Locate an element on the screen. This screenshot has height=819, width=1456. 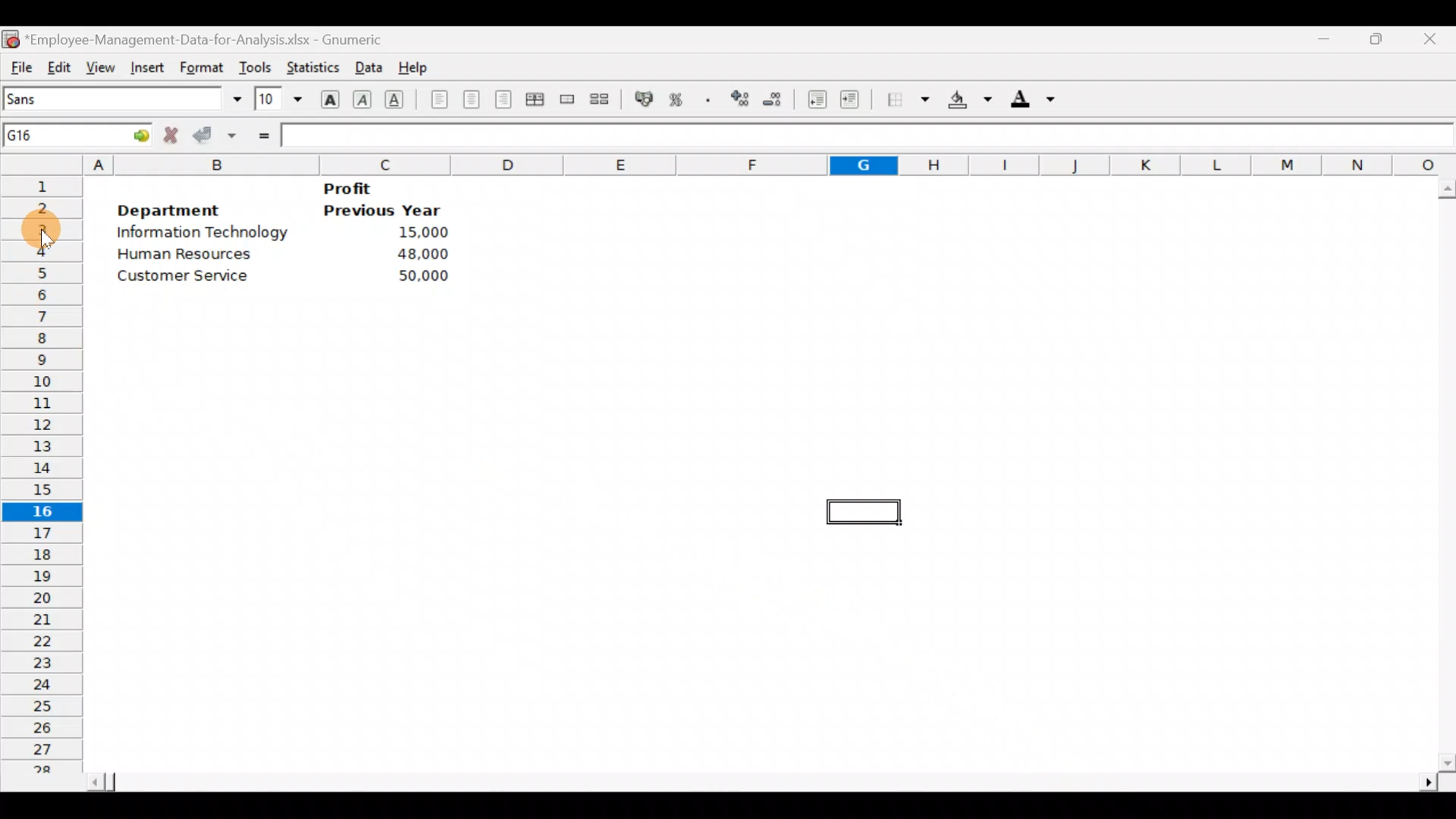
Data is located at coordinates (365, 64).